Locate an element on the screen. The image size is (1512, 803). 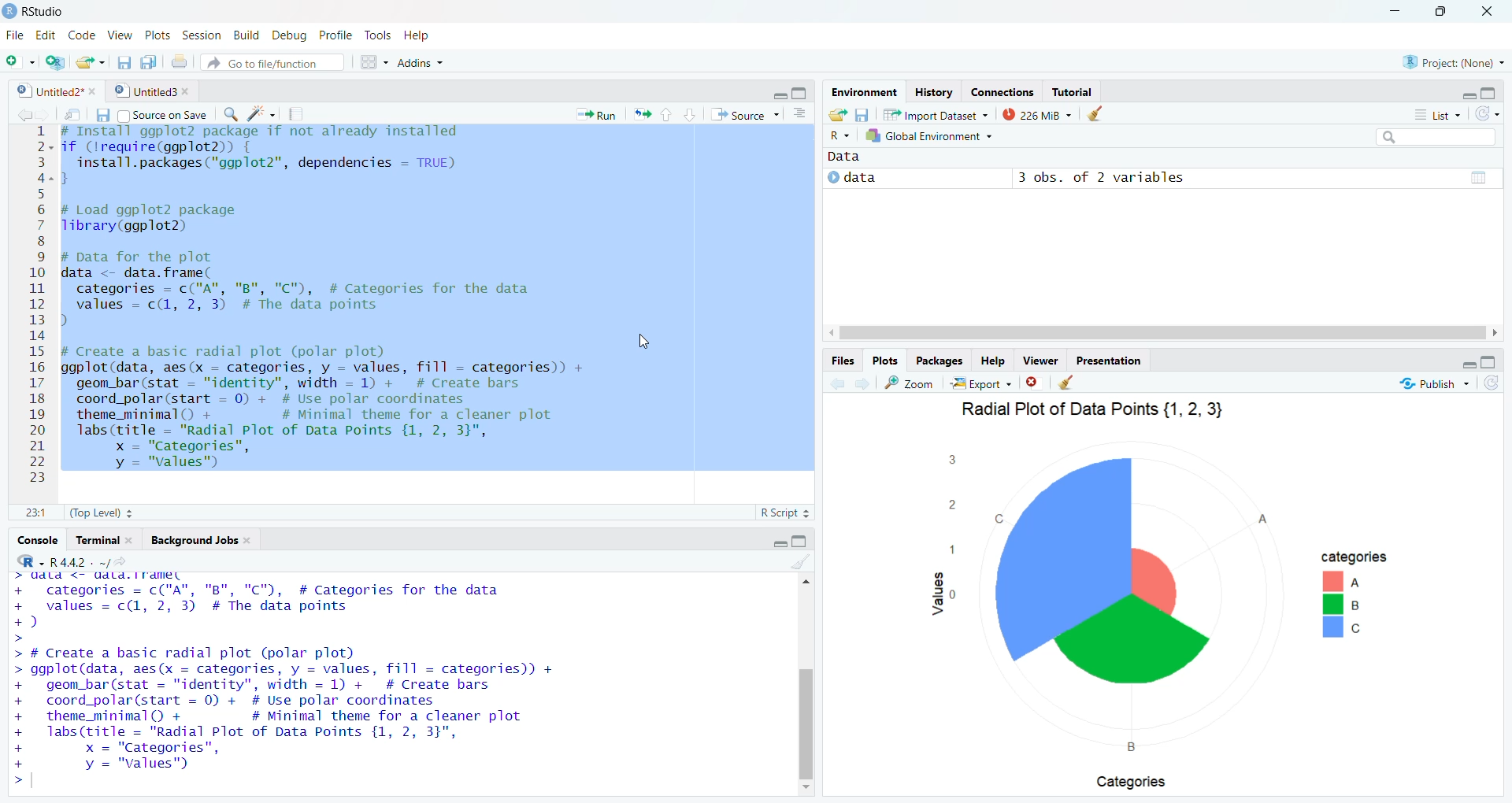
Minimize is located at coordinates (1468, 366).